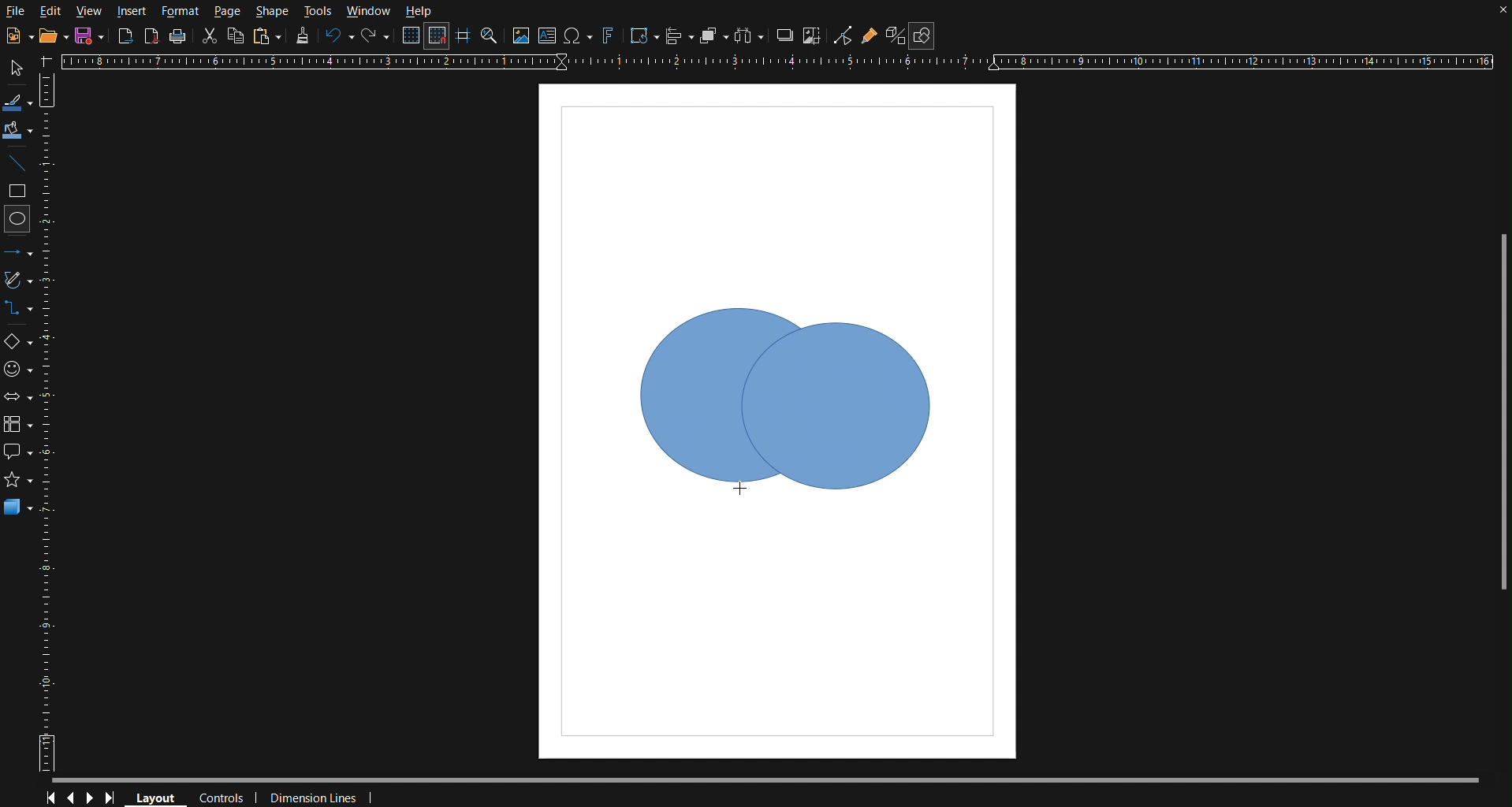  Describe the element at coordinates (82, 796) in the screenshot. I see `Controls` at that location.